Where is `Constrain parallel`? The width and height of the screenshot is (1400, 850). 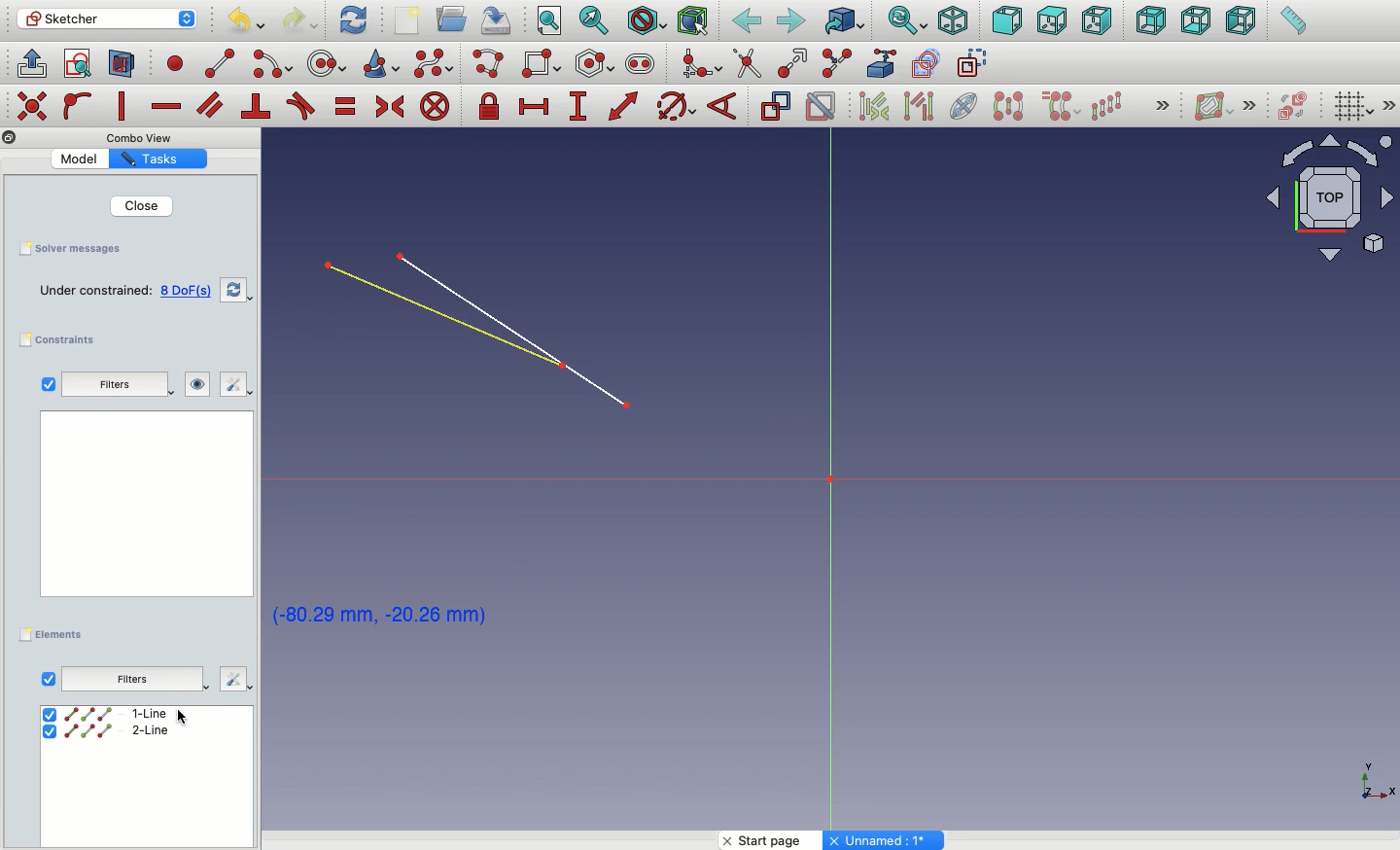 Constrain parallel is located at coordinates (210, 105).